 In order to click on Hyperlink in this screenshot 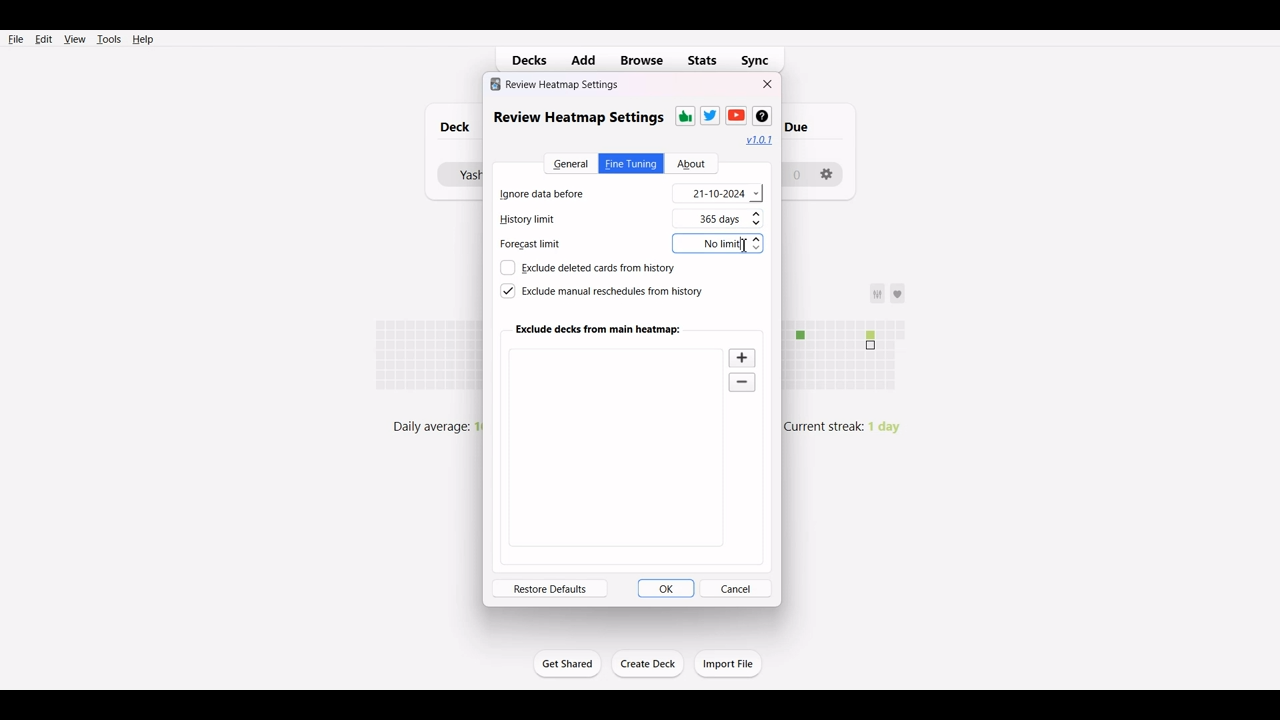, I will do `click(760, 140)`.